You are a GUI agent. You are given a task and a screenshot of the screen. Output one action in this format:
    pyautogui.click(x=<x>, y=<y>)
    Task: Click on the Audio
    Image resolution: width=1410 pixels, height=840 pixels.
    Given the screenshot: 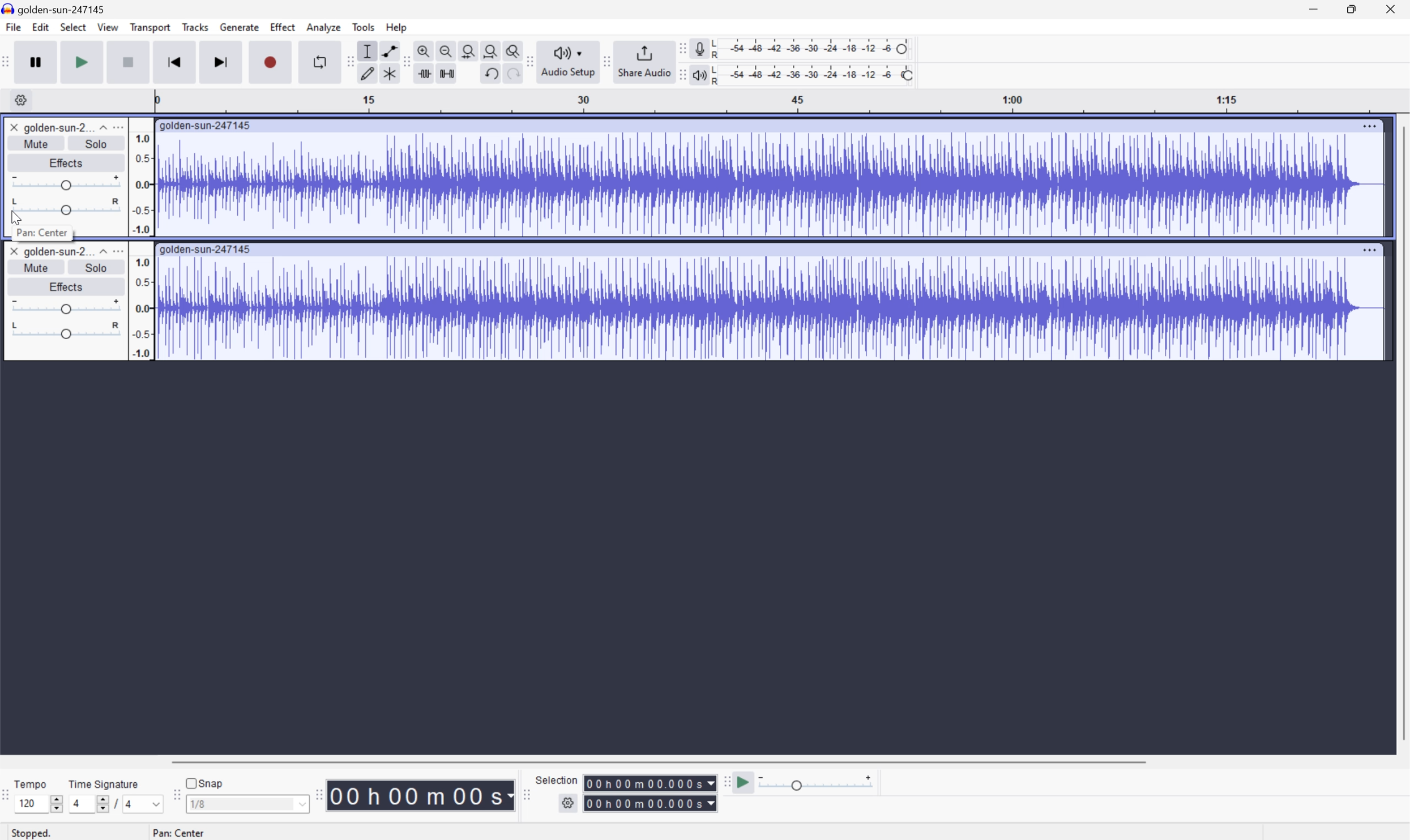 What is the action you would take?
    pyautogui.click(x=770, y=307)
    